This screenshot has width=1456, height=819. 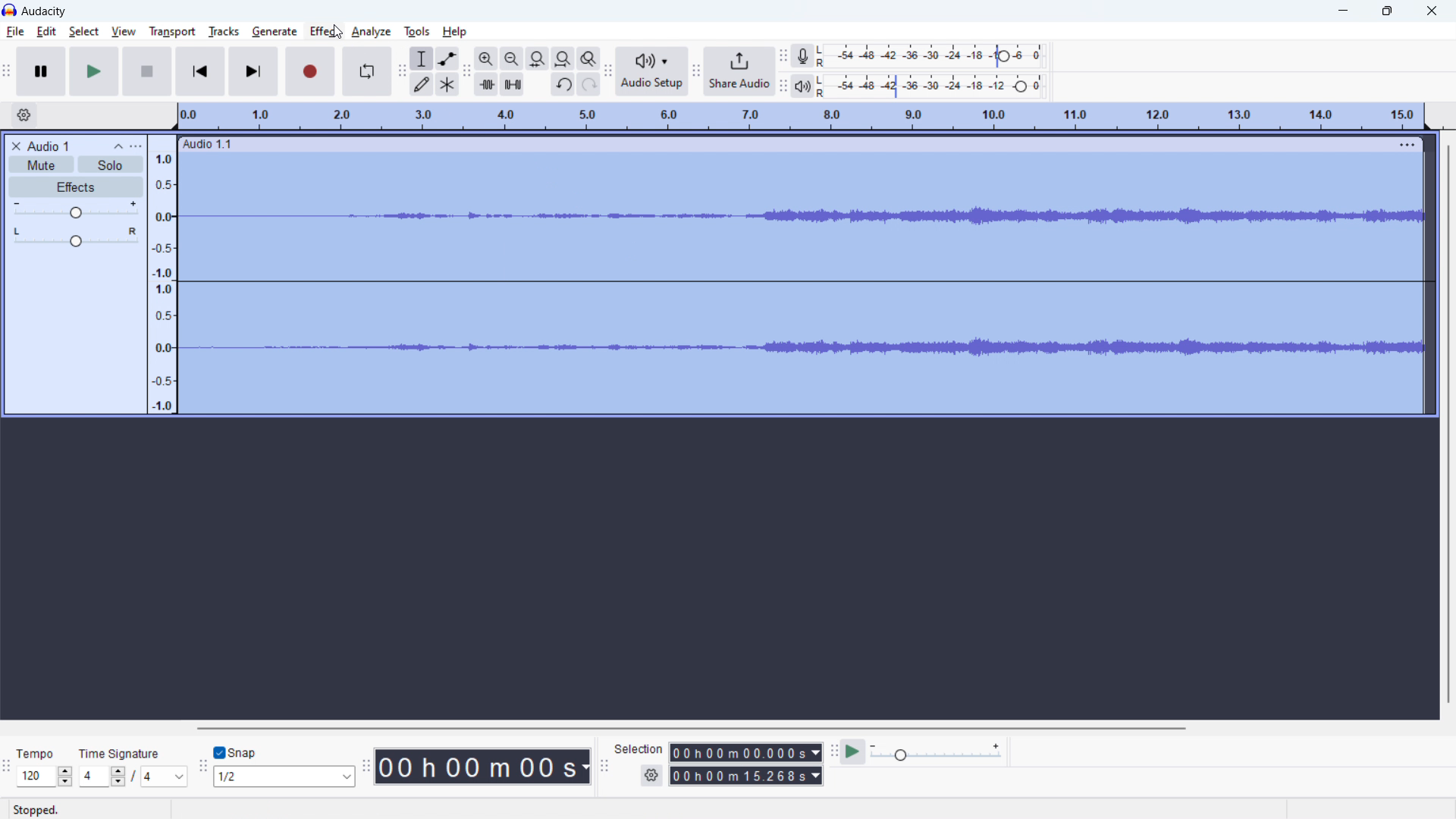 What do you see at coordinates (807, 85) in the screenshot?
I see `playback meter` at bounding box center [807, 85].